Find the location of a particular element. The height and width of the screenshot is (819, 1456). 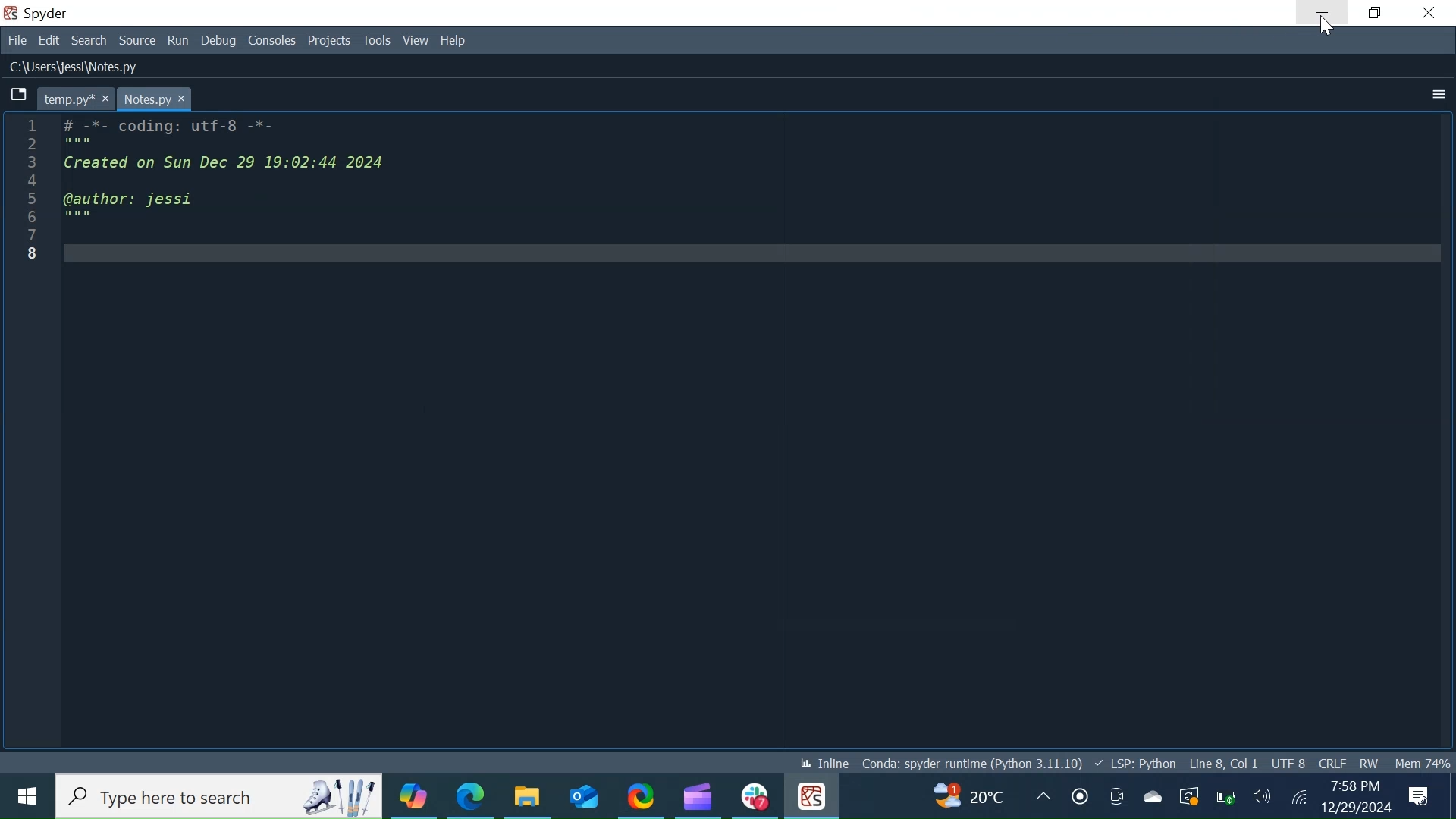

More Options is located at coordinates (1437, 93).